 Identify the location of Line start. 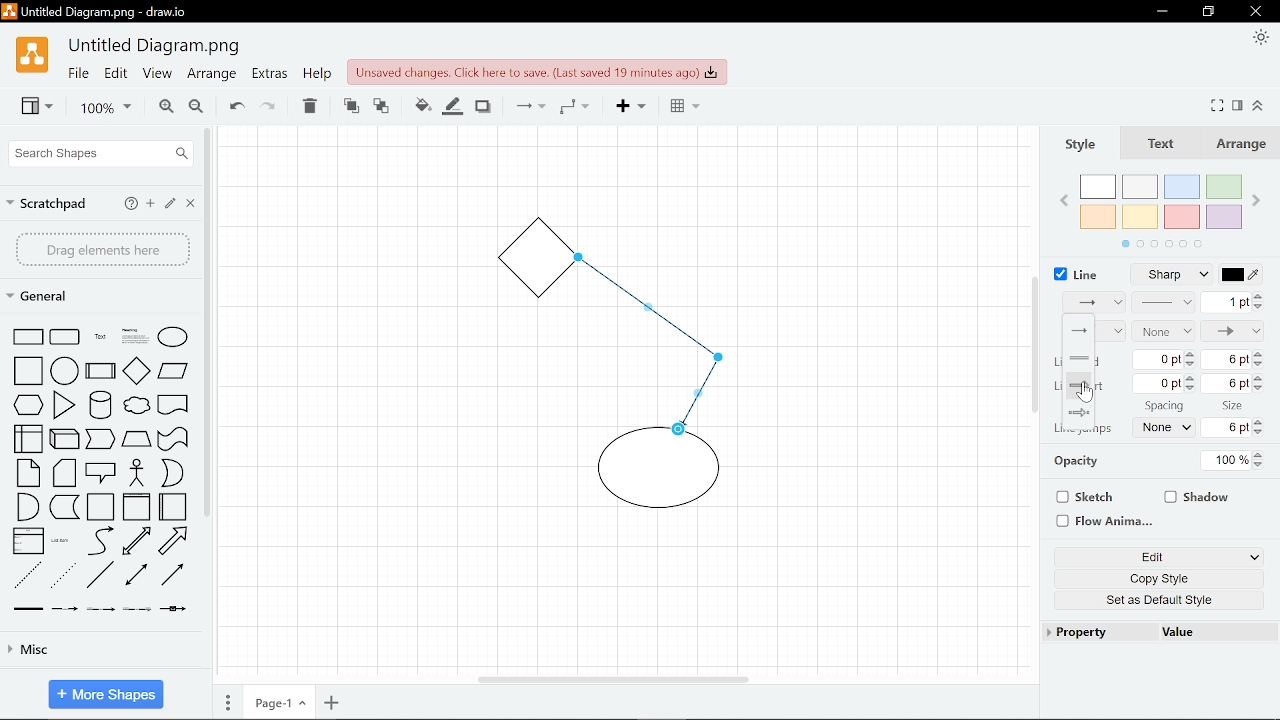
(1164, 331).